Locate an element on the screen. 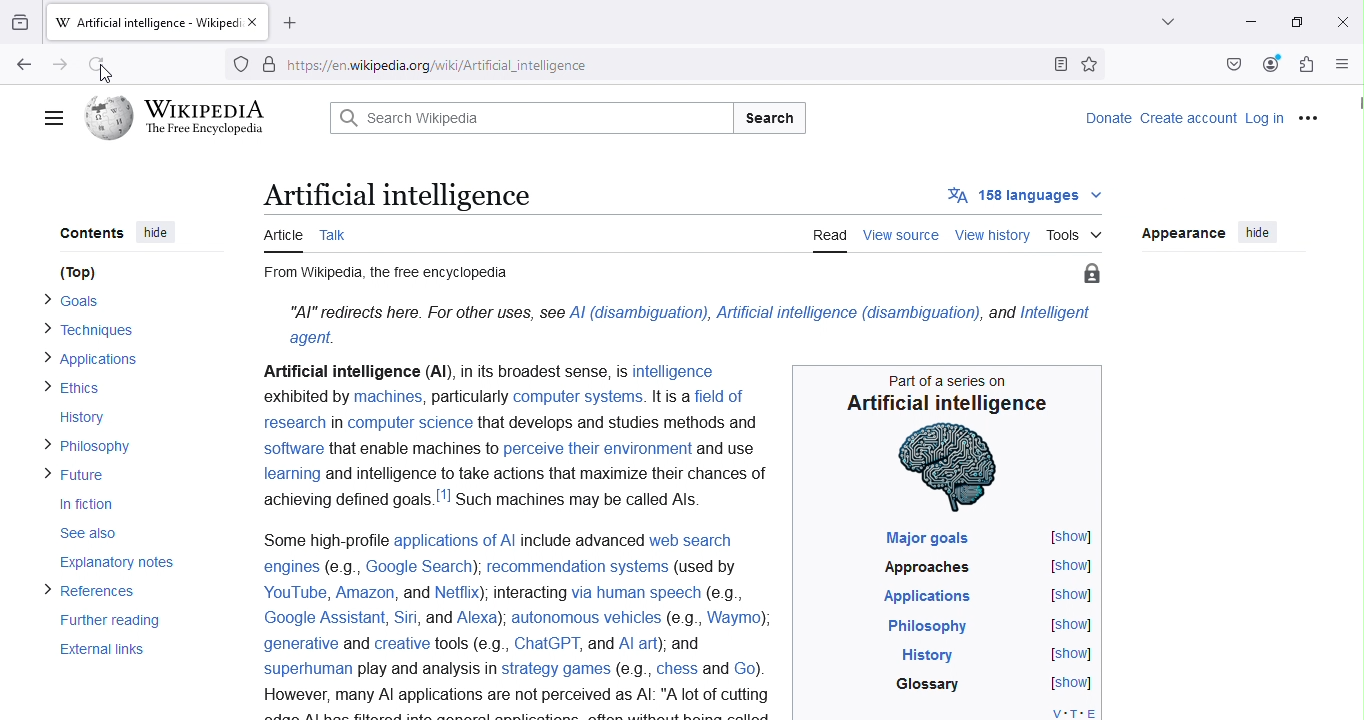 This screenshot has height=720, width=1364. 158 languages is located at coordinates (1029, 193).